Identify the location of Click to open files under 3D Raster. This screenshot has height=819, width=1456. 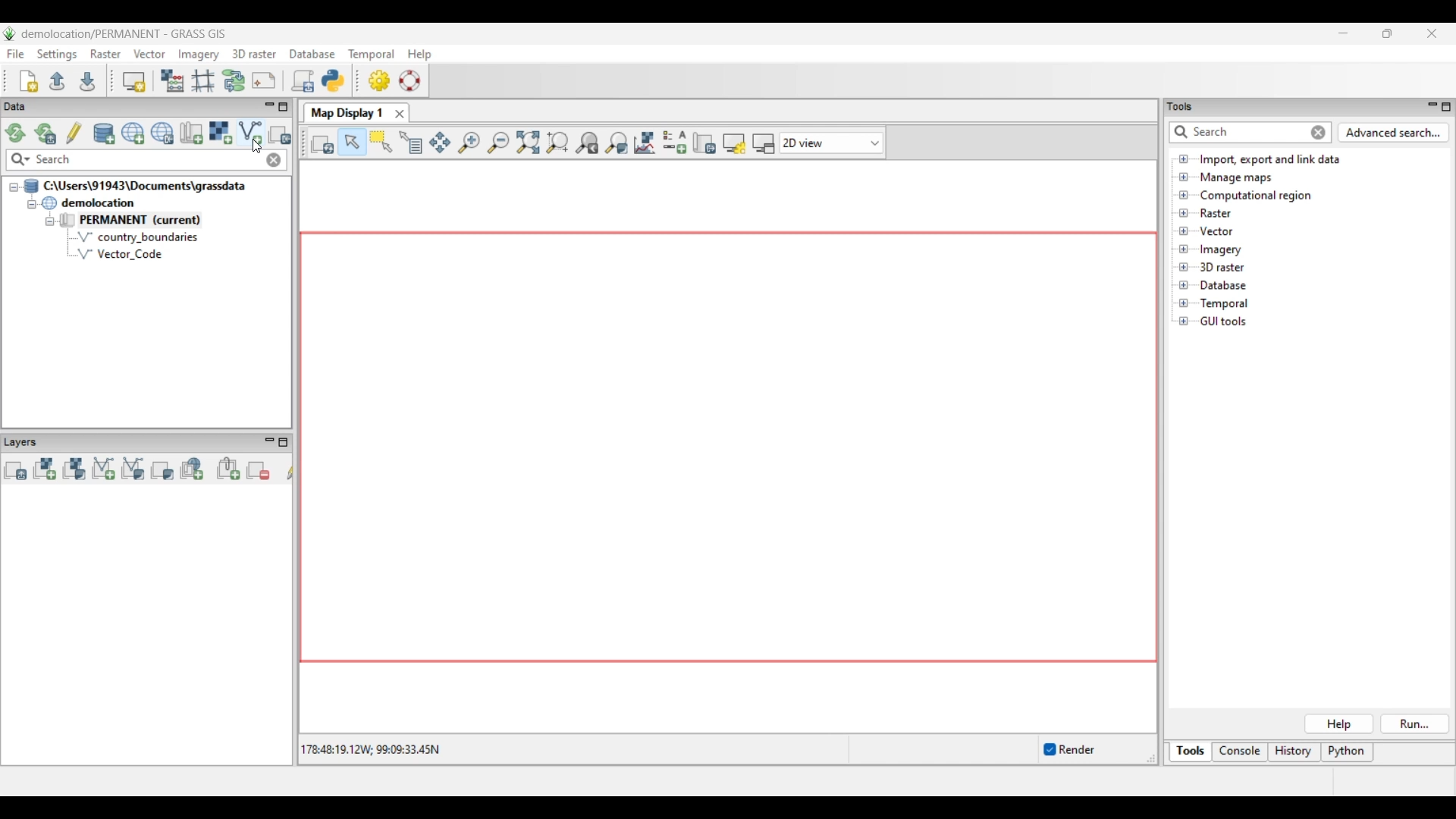
(1184, 267).